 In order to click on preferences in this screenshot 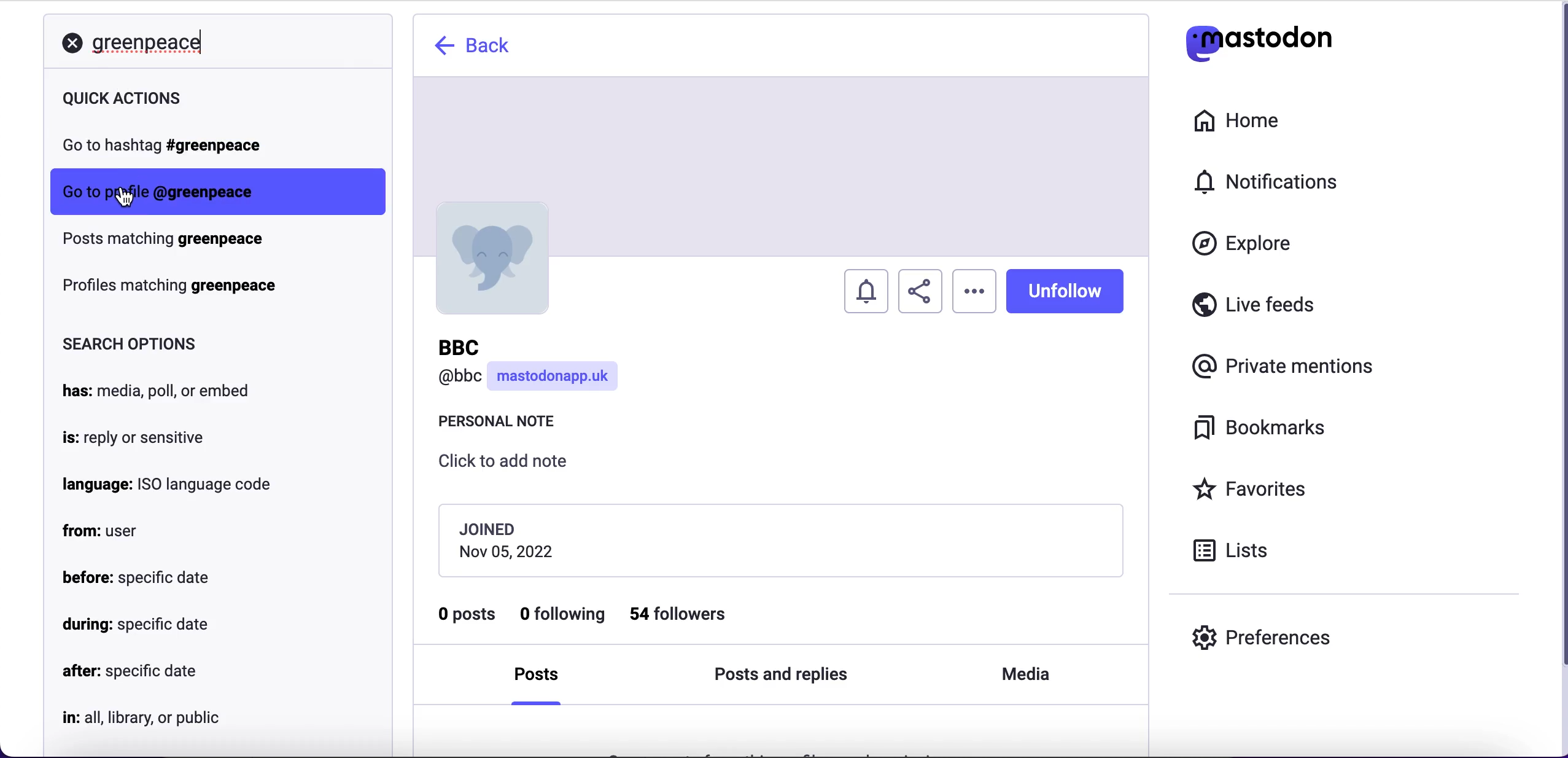, I will do `click(1262, 637)`.